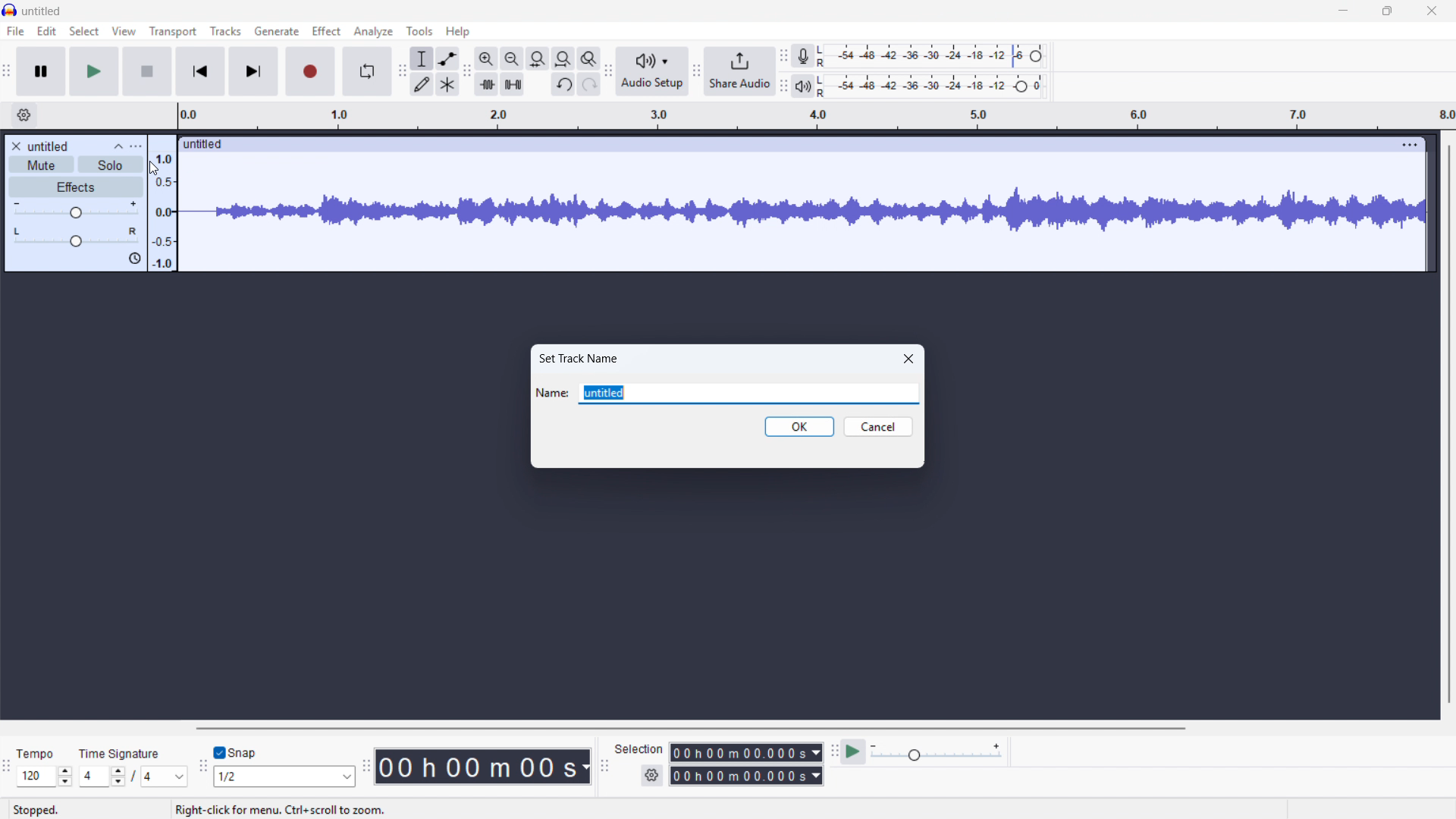  I want to click on Click to drag , so click(785, 145).